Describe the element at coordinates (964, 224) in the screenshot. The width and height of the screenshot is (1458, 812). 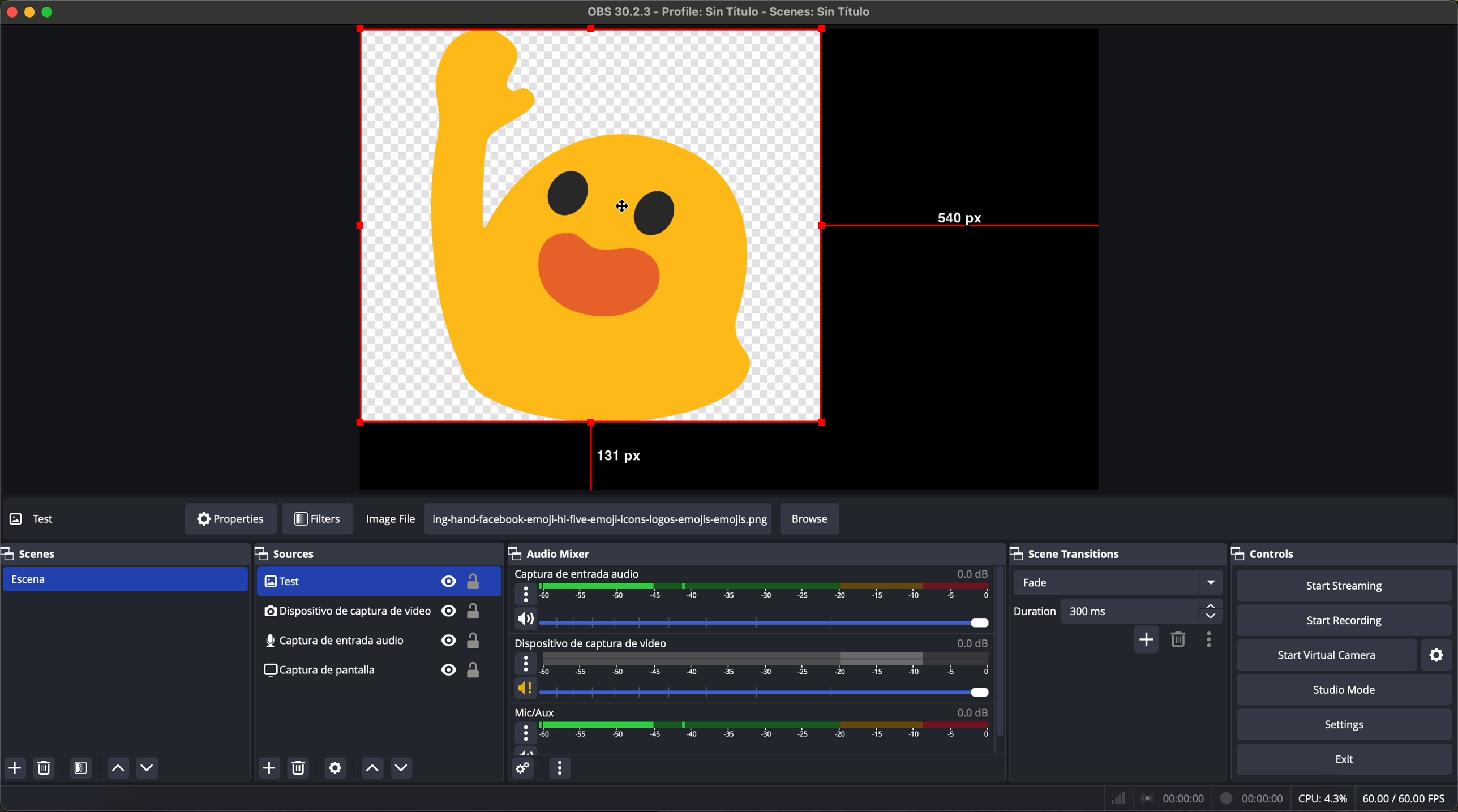
I see `540 px distance` at that location.